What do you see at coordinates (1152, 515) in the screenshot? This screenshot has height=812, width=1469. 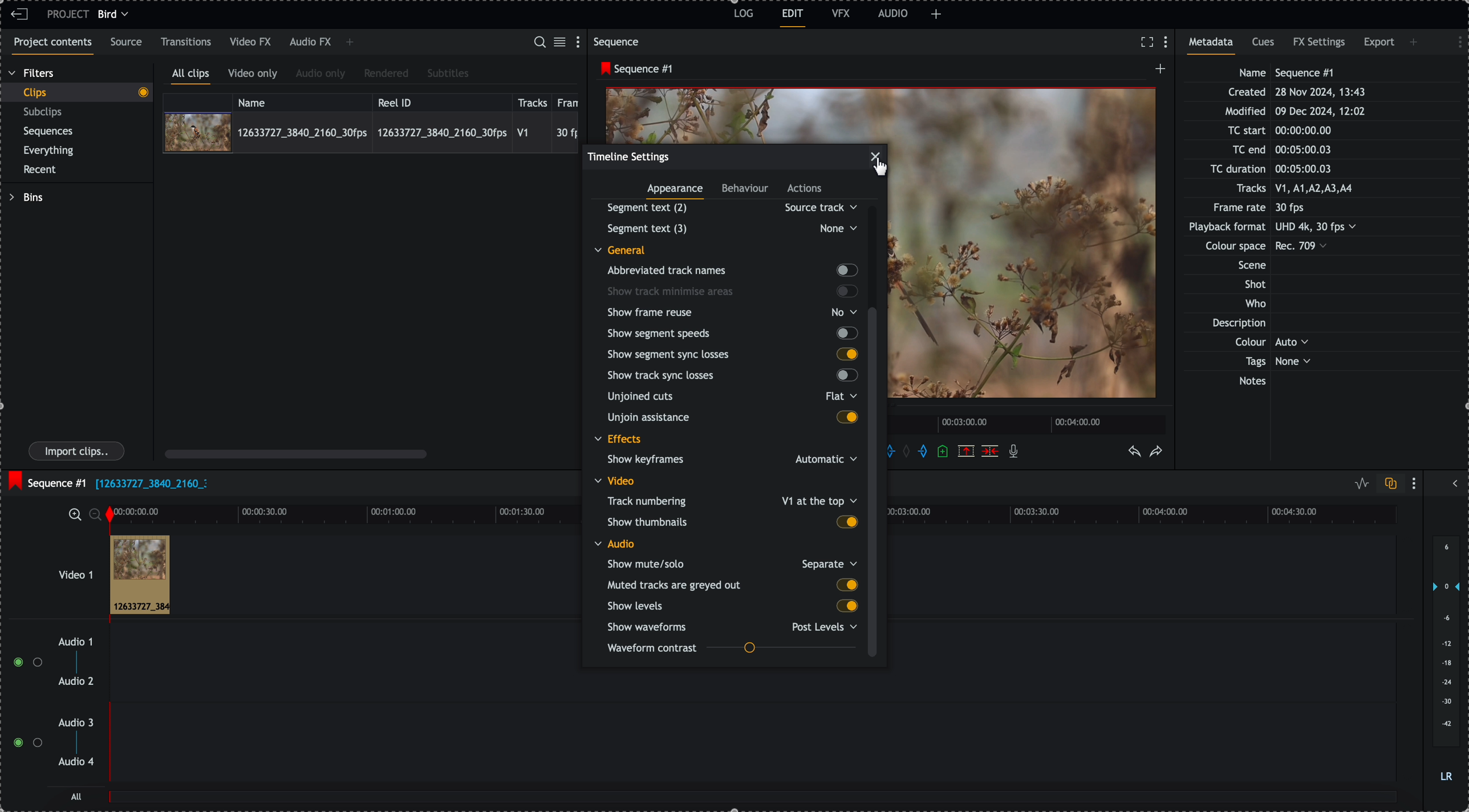 I see `timeline` at bounding box center [1152, 515].